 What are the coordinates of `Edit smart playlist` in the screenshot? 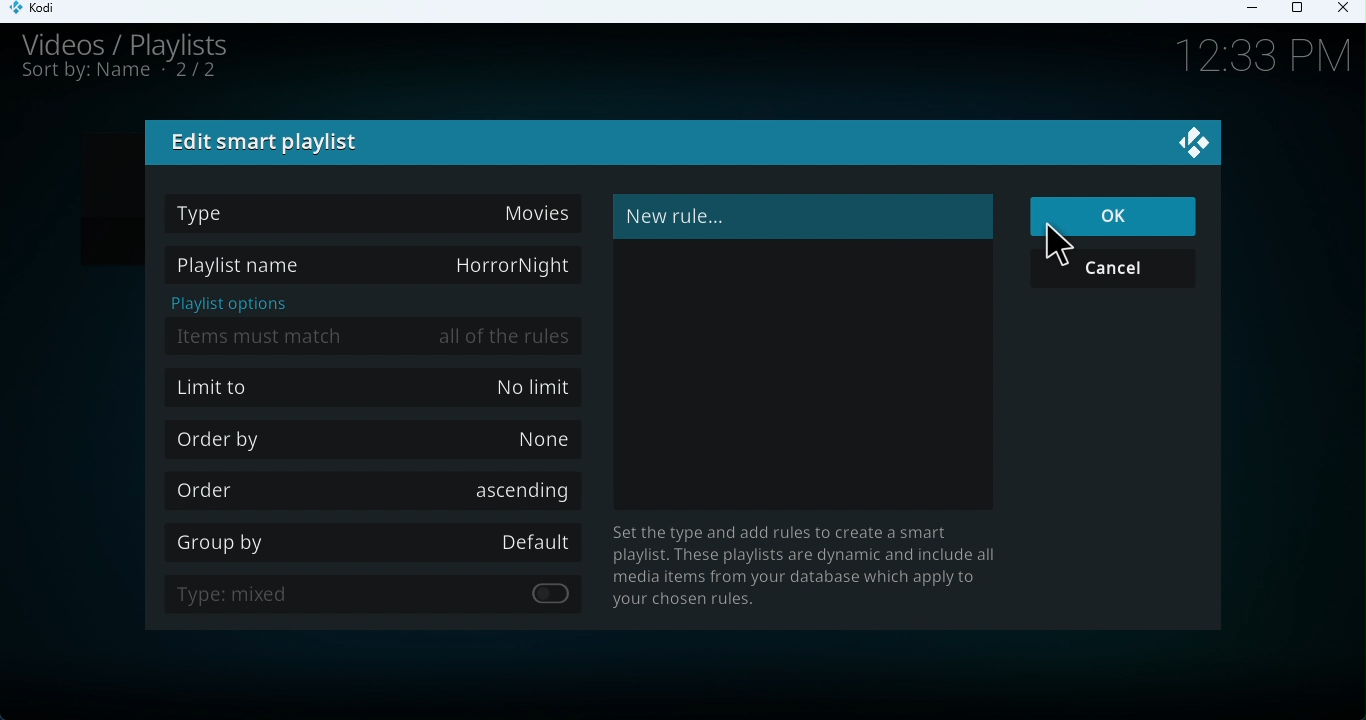 It's located at (269, 143).